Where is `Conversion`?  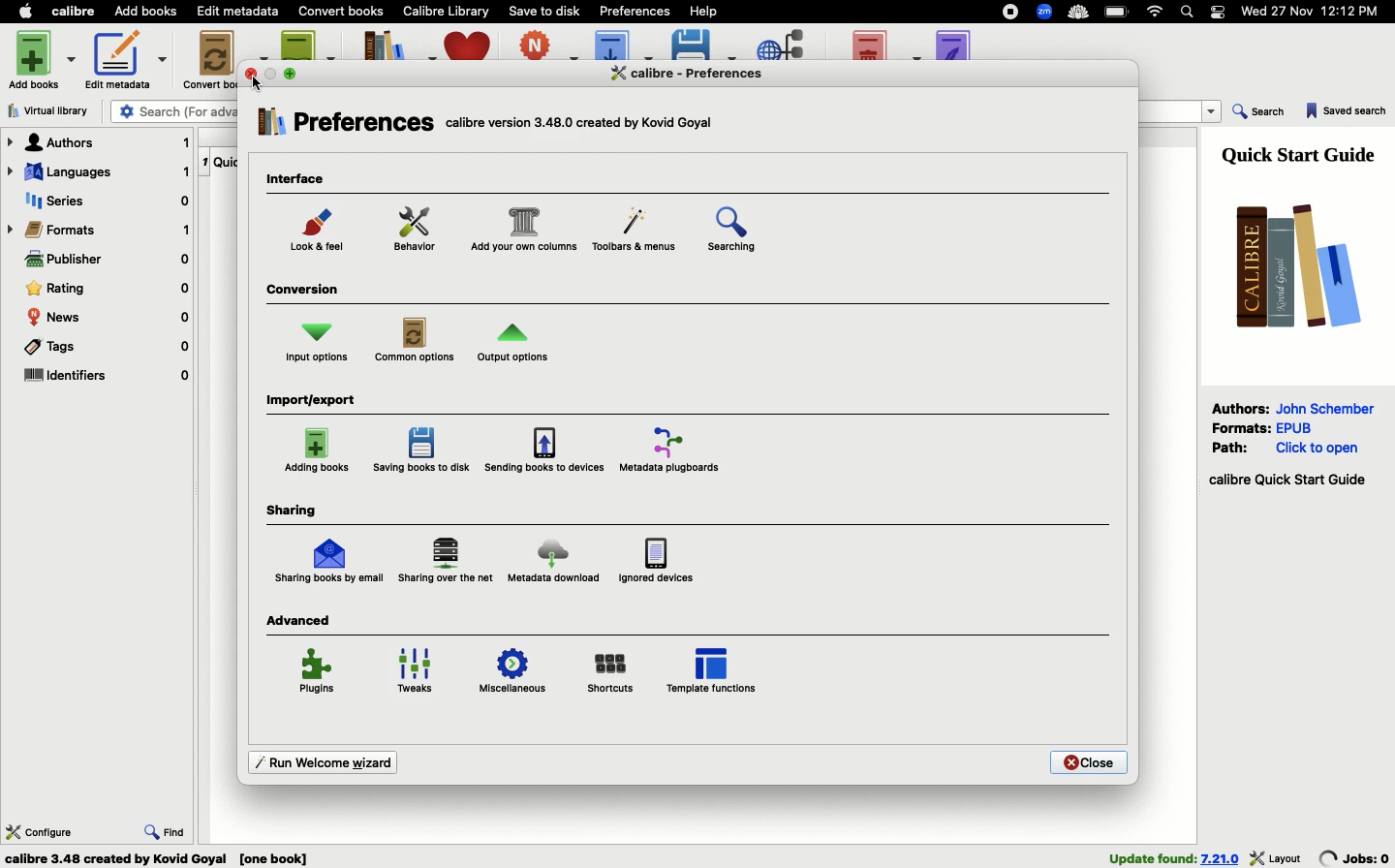
Conversion is located at coordinates (306, 292).